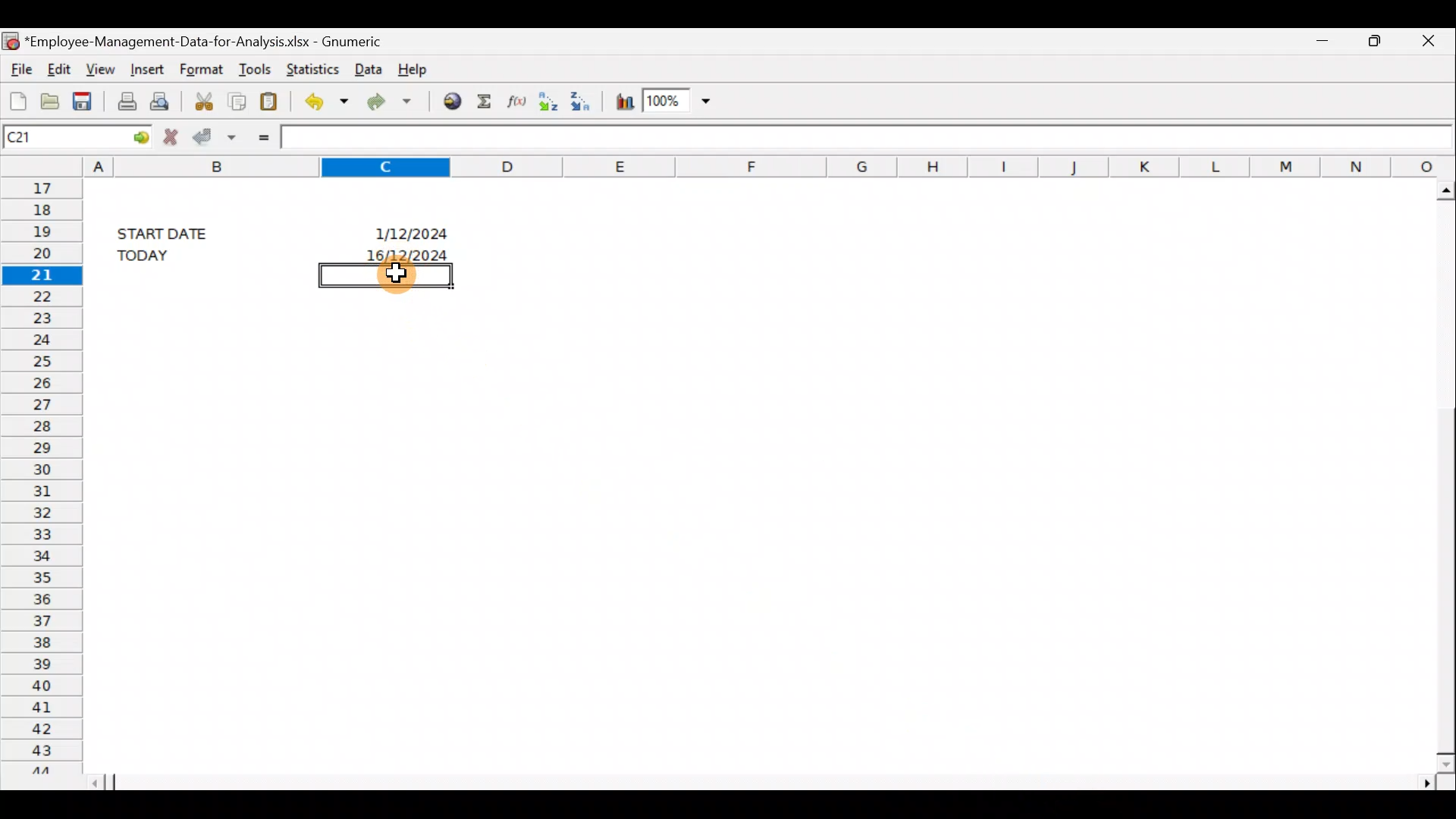 The width and height of the screenshot is (1456, 819). I want to click on Redo undone action, so click(386, 101).